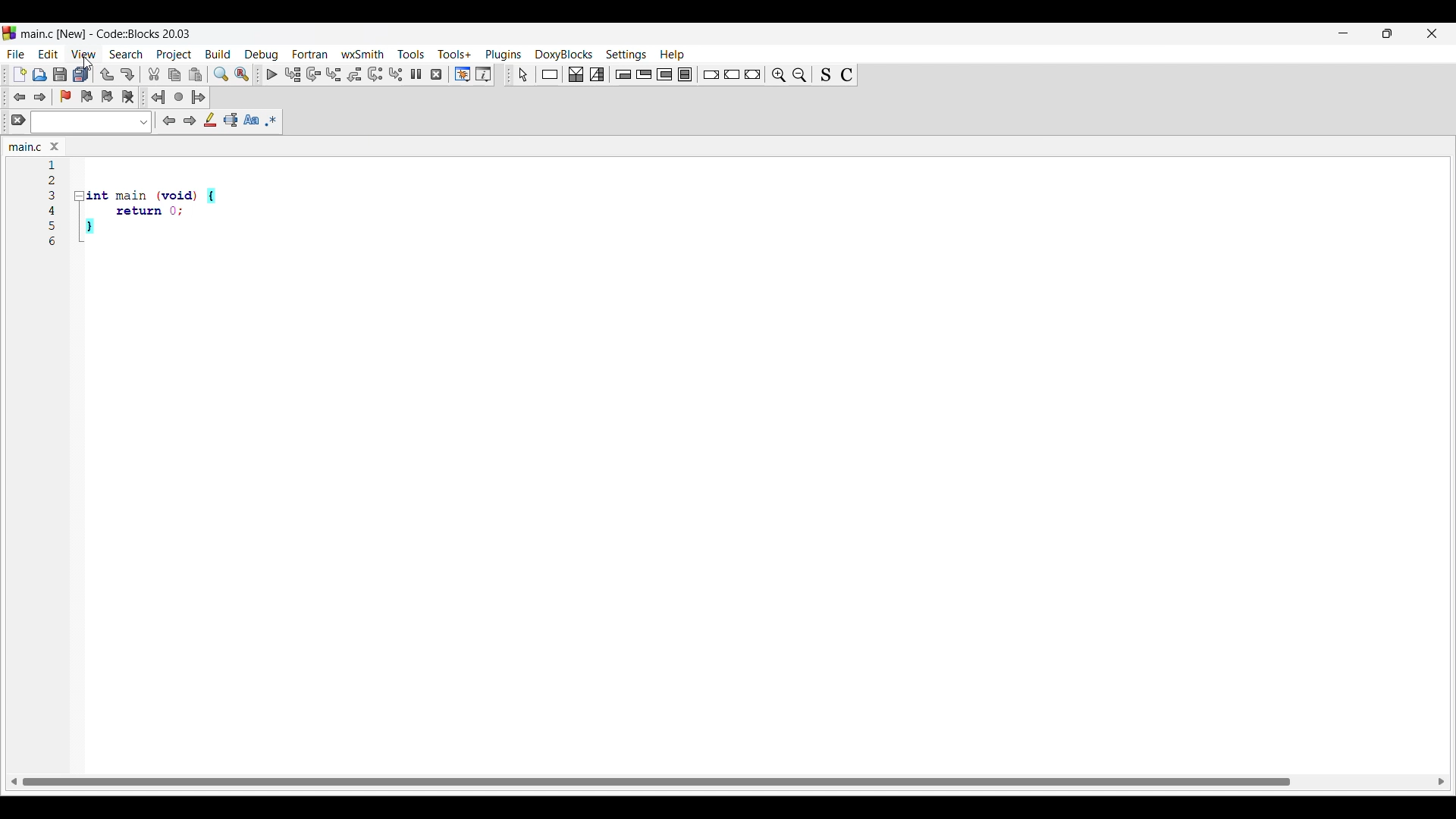 This screenshot has height=819, width=1456. What do you see at coordinates (752, 74) in the screenshot?
I see `Return instruction` at bounding box center [752, 74].